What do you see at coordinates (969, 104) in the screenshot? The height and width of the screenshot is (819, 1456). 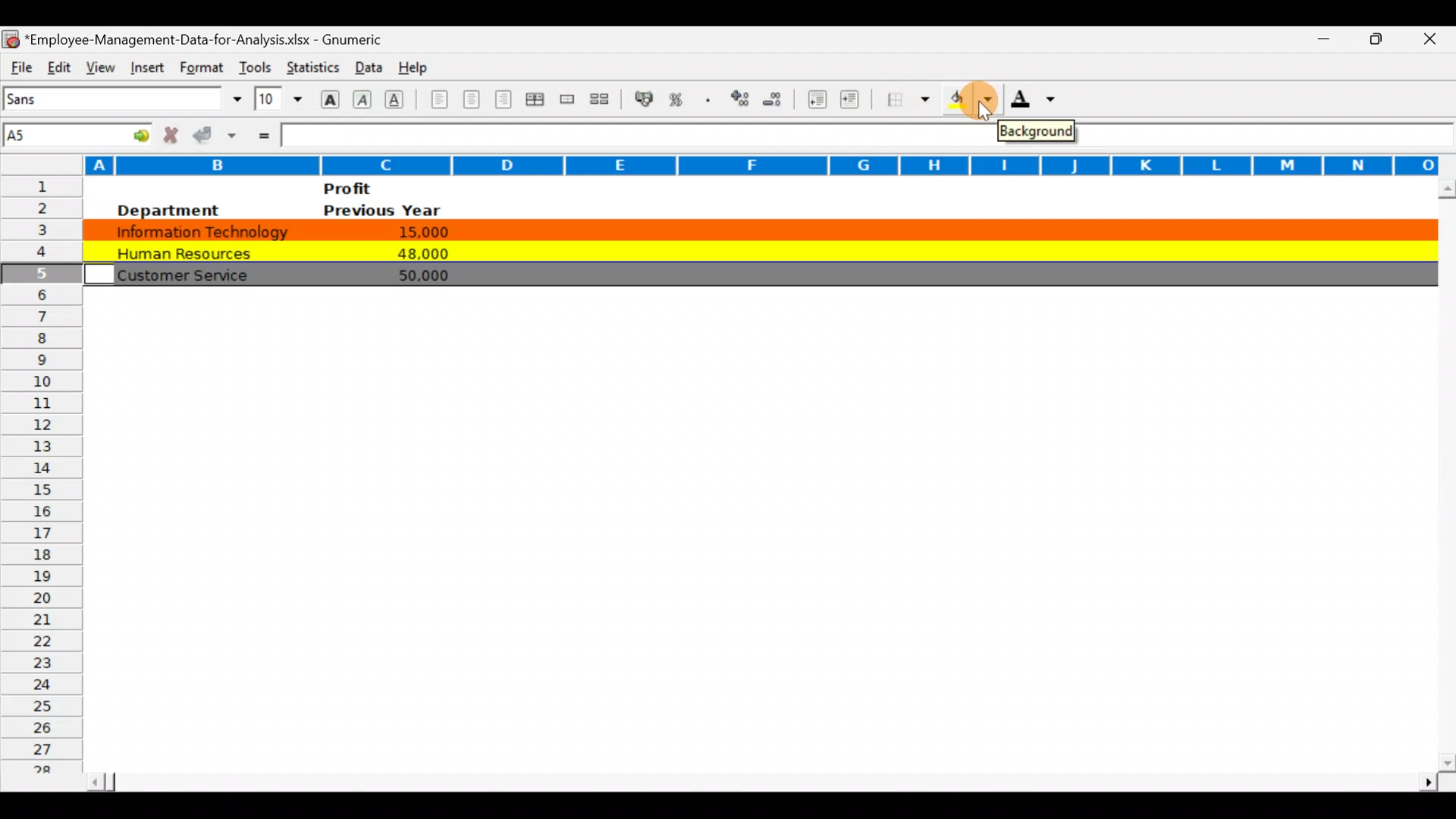 I see `Background` at bounding box center [969, 104].